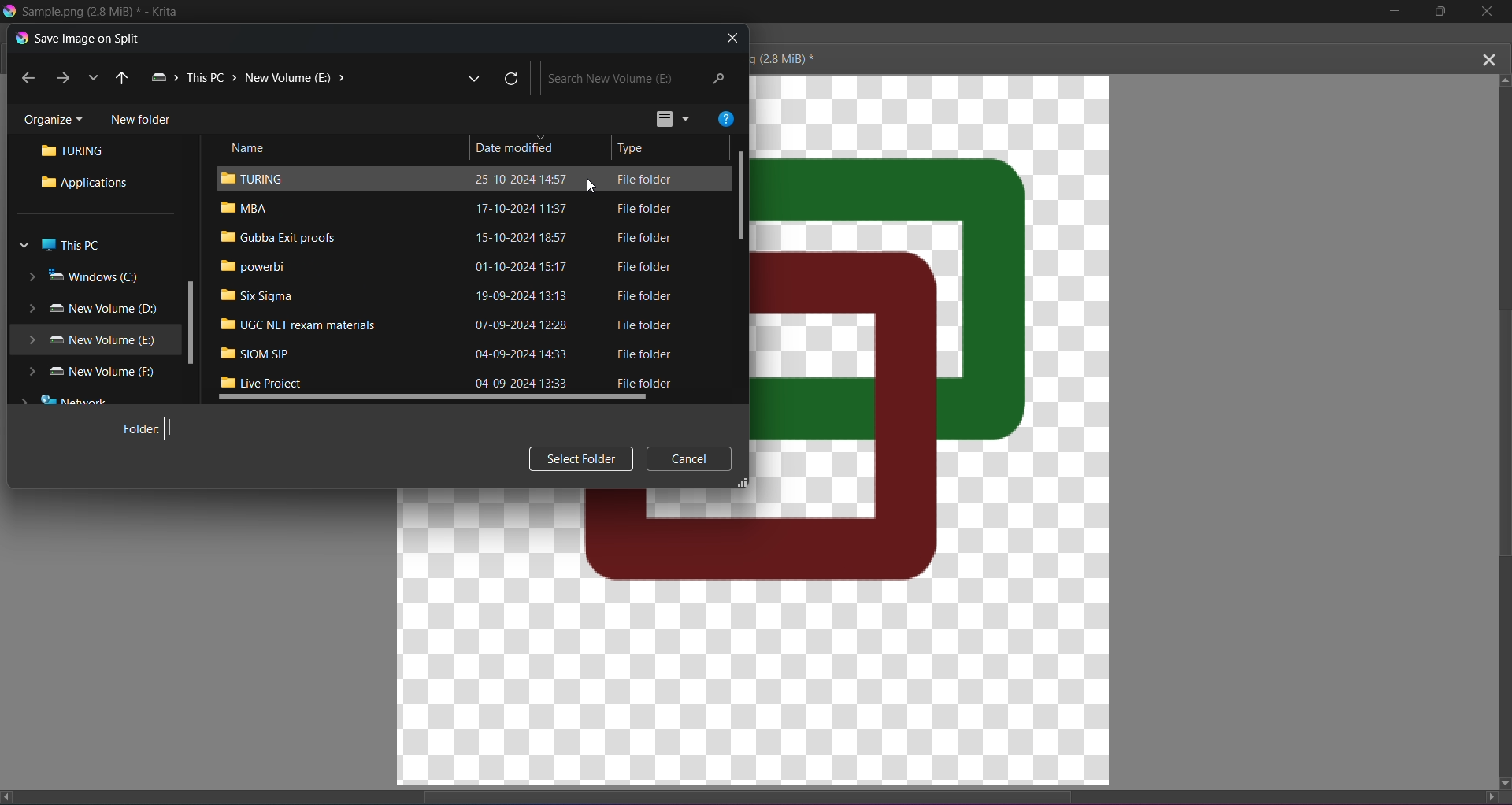 This screenshot has height=805, width=1512. Describe the element at coordinates (390, 179) in the screenshot. I see `Im TURING 25-10-2024 14:57 File folder` at that location.